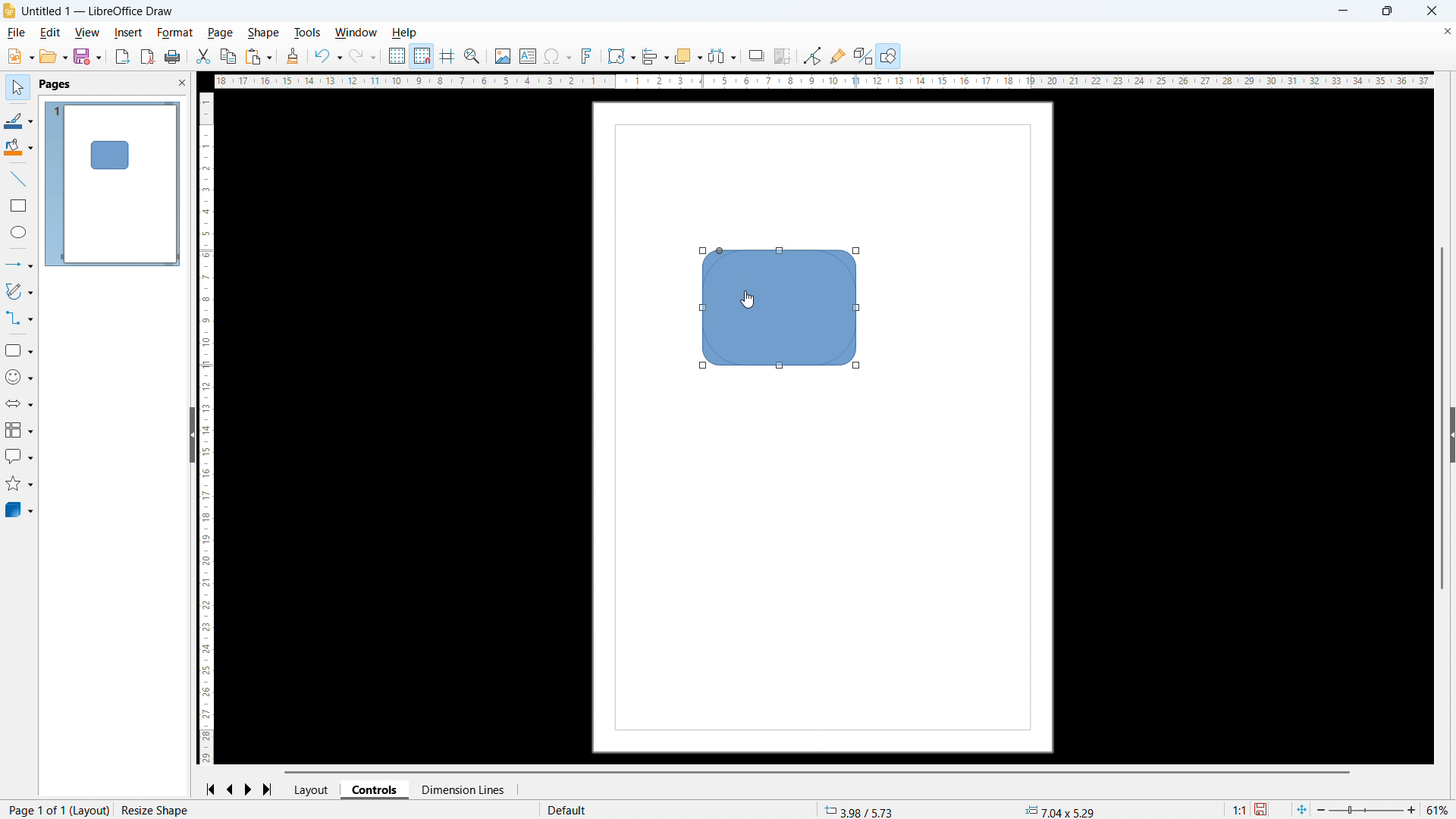 This screenshot has height=819, width=1456. What do you see at coordinates (259, 58) in the screenshot?
I see `paste ` at bounding box center [259, 58].